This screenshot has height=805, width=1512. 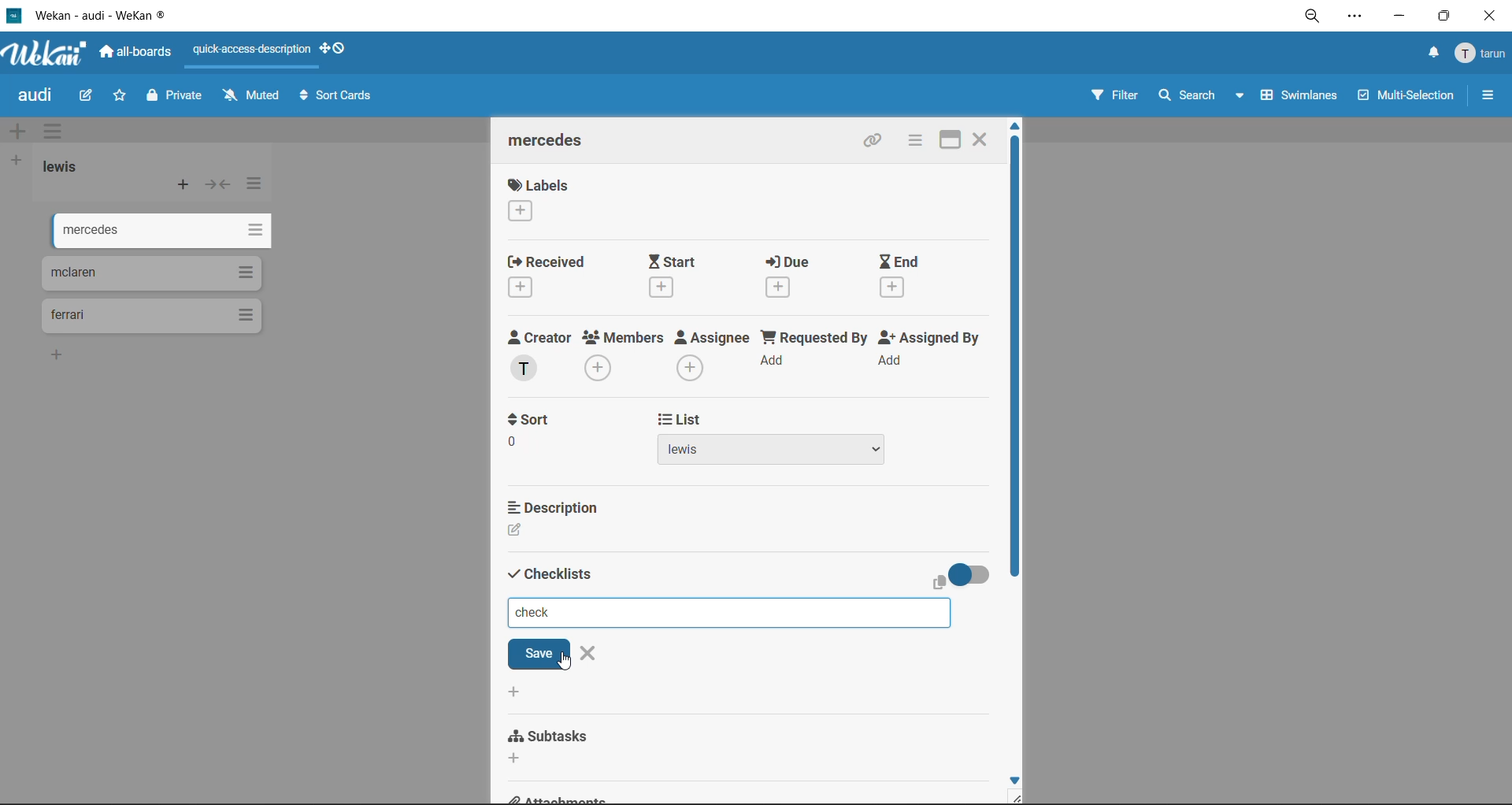 What do you see at coordinates (1302, 98) in the screenshot?
I see `swimlanes` at bounding box center [1302, 98].